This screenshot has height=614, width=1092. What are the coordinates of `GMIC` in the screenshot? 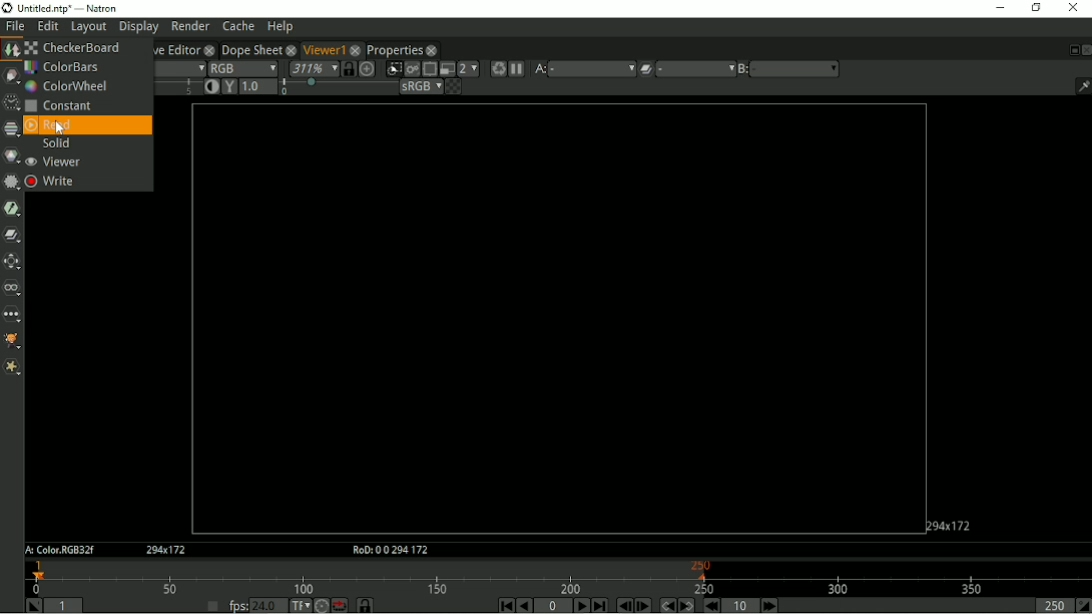 It's located at (12, 342).